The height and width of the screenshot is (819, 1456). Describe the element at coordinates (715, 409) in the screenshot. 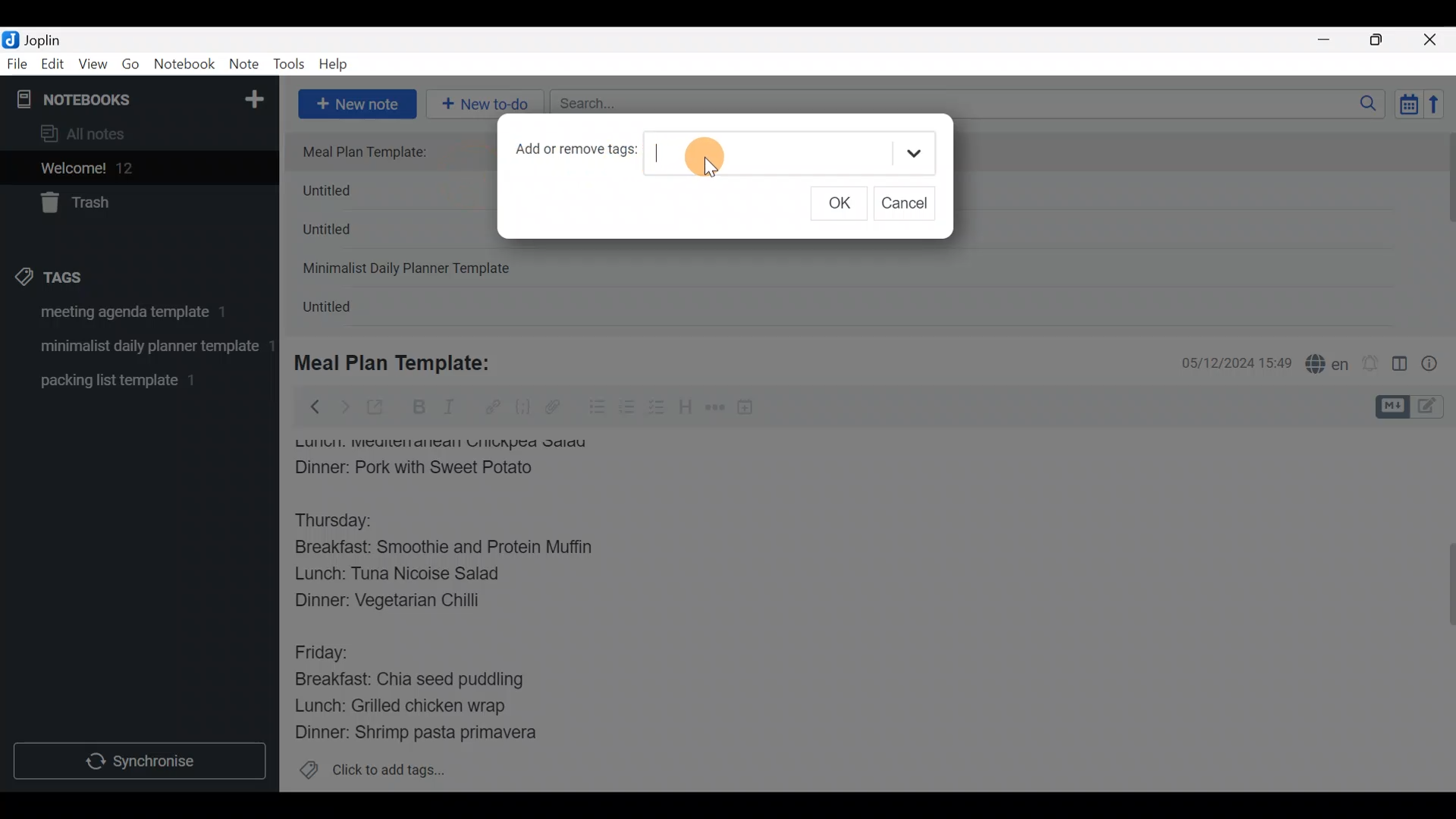

I see `Horizontal rule` at that location.